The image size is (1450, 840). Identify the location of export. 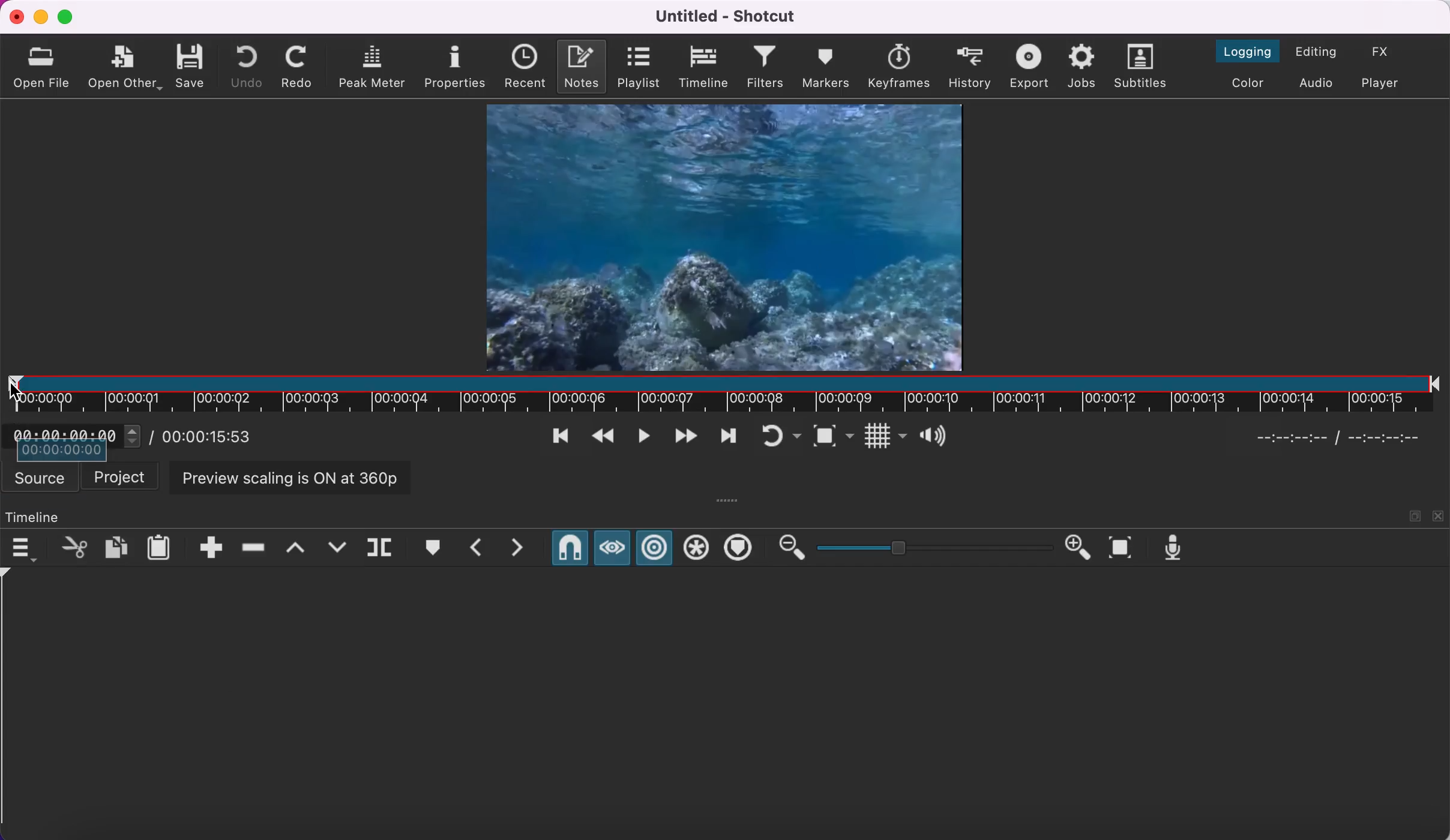
(1027, 67).